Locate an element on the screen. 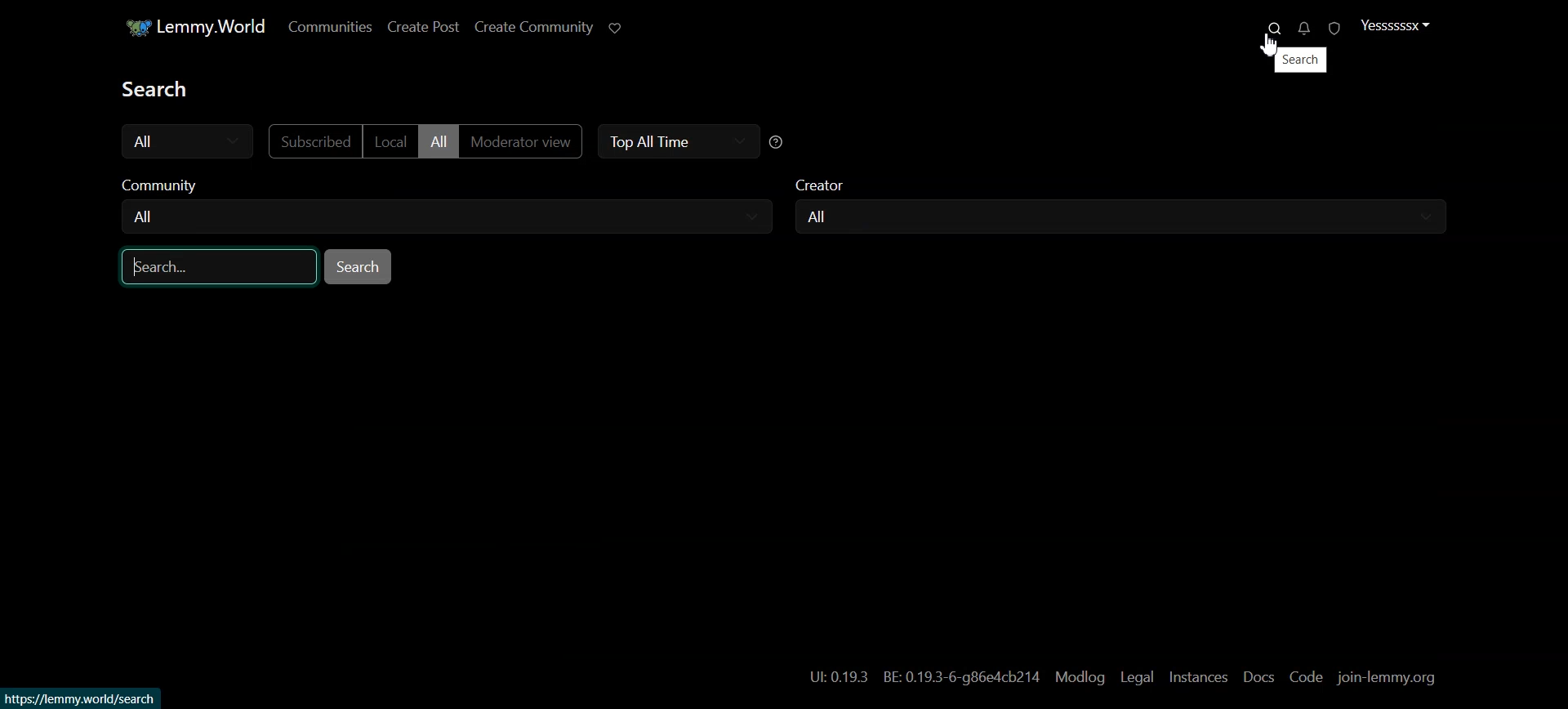 The image size is (1568, 709). Unread messages is located at coordinates (1296, 29).